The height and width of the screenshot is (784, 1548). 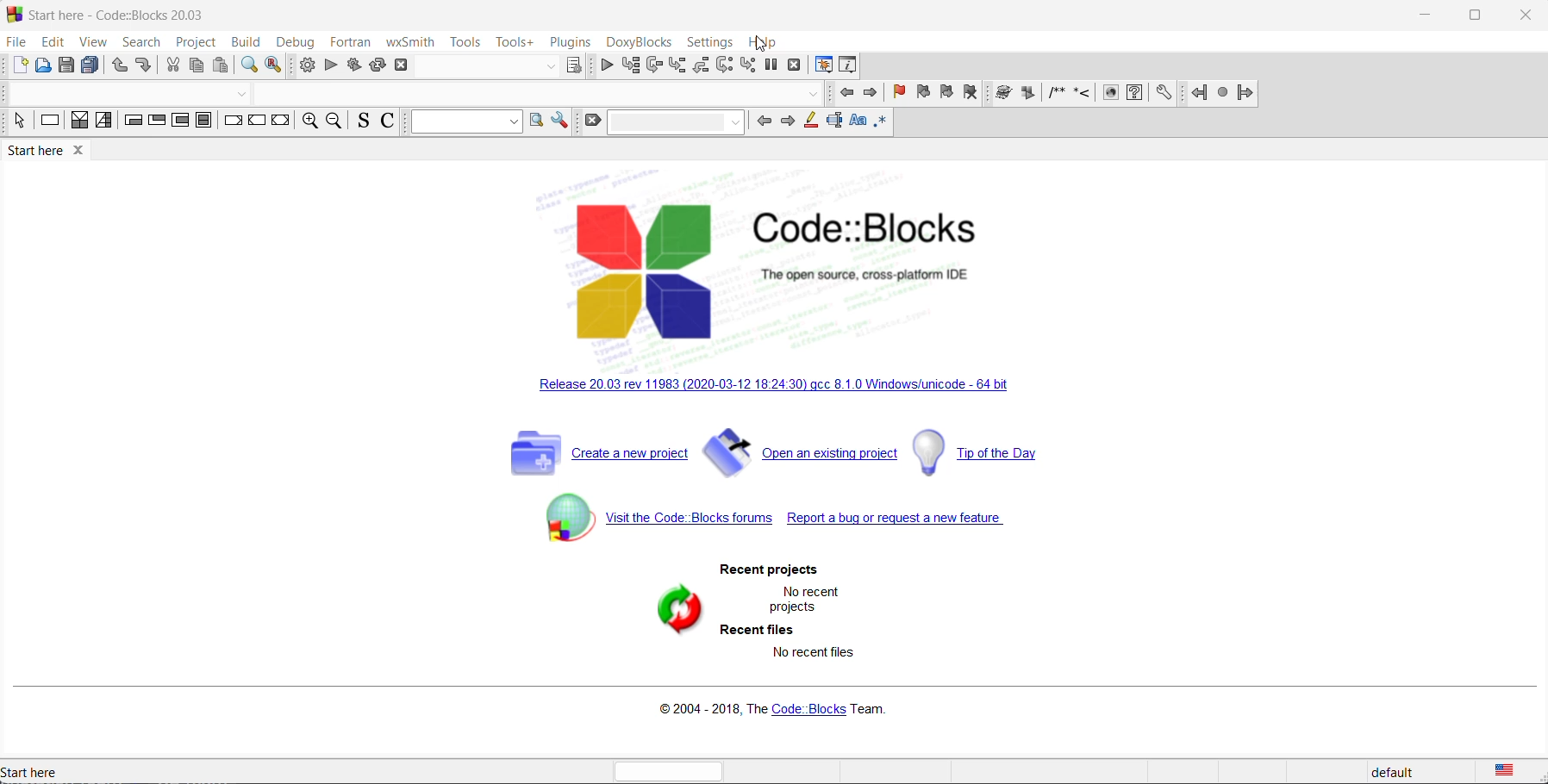 I want to click on build, so click(x=244, y=43).